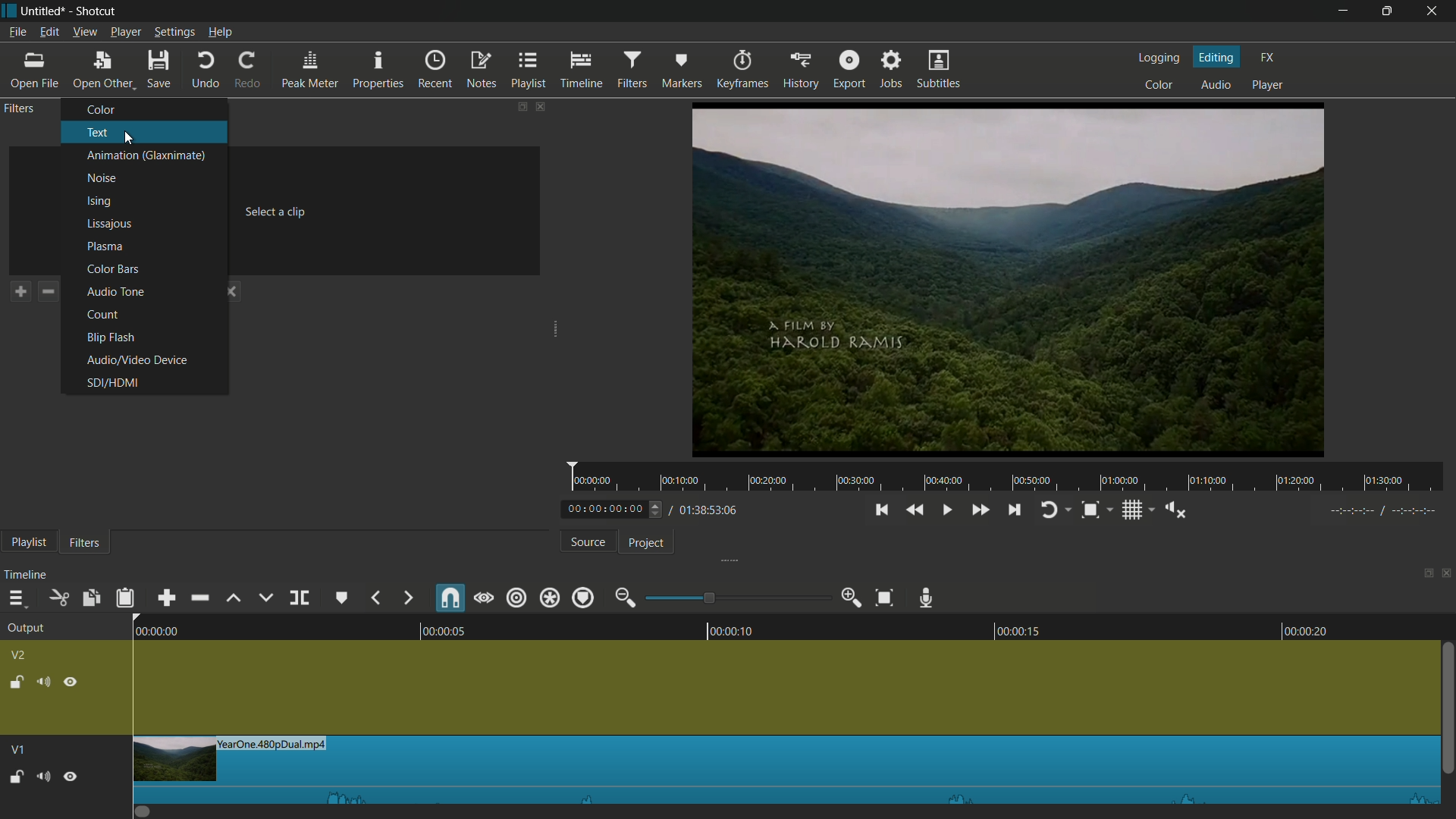  I want to click on imported file in timeline, so click(786, 770).